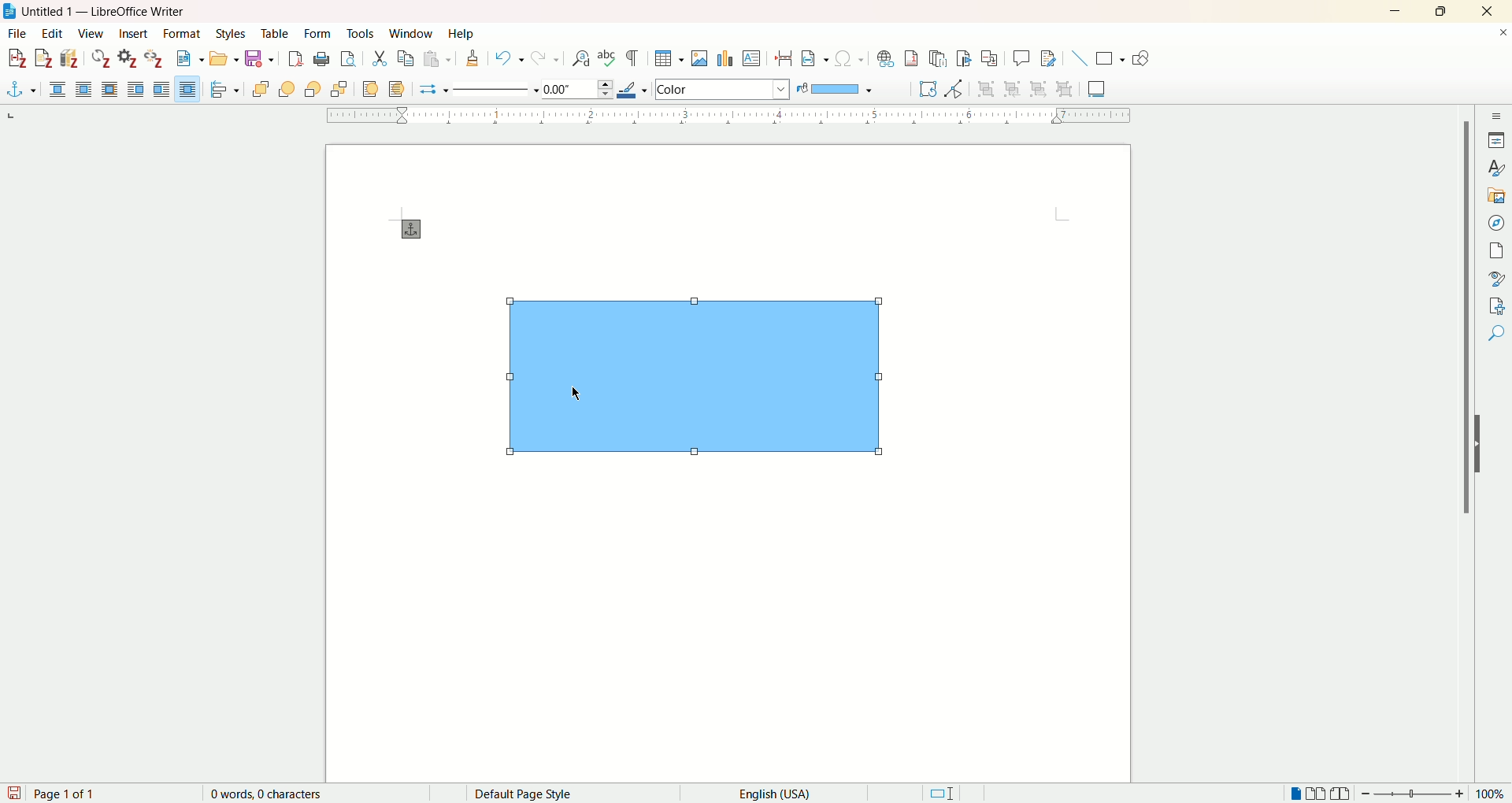 The image size is (1512, 803). Describe the element at coordinates (1494, 140) in the screenshot. I see `properties` at that location.